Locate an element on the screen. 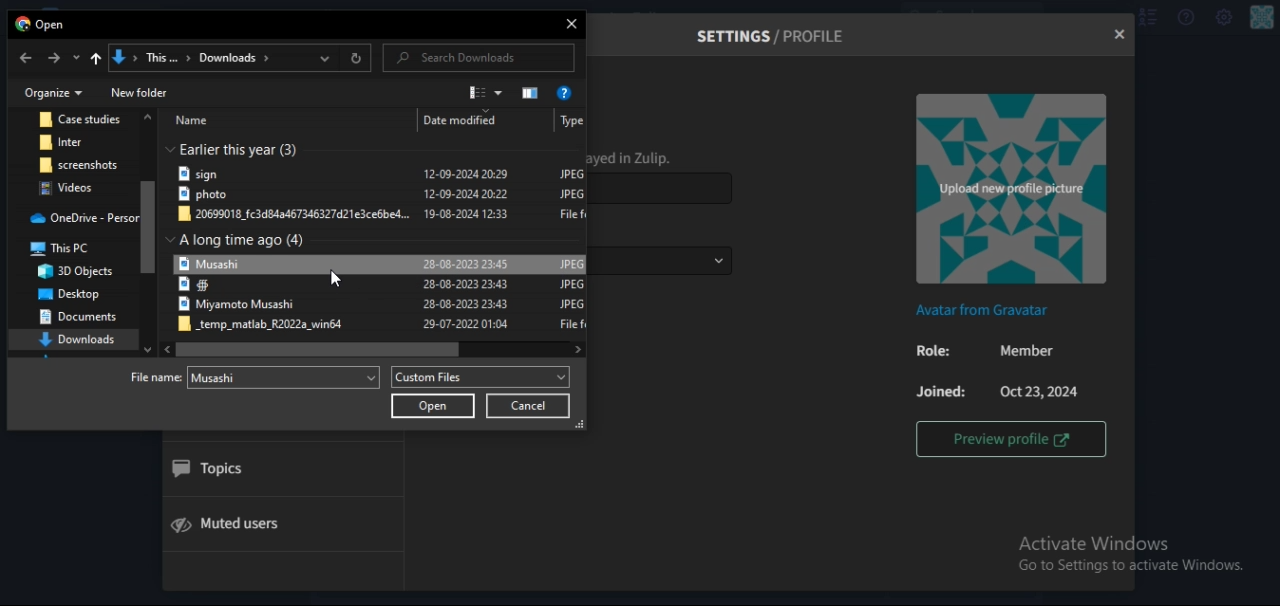 The height and width of the screenshot is (606, 1280). personal menu is located at coordinates (1263, 18).